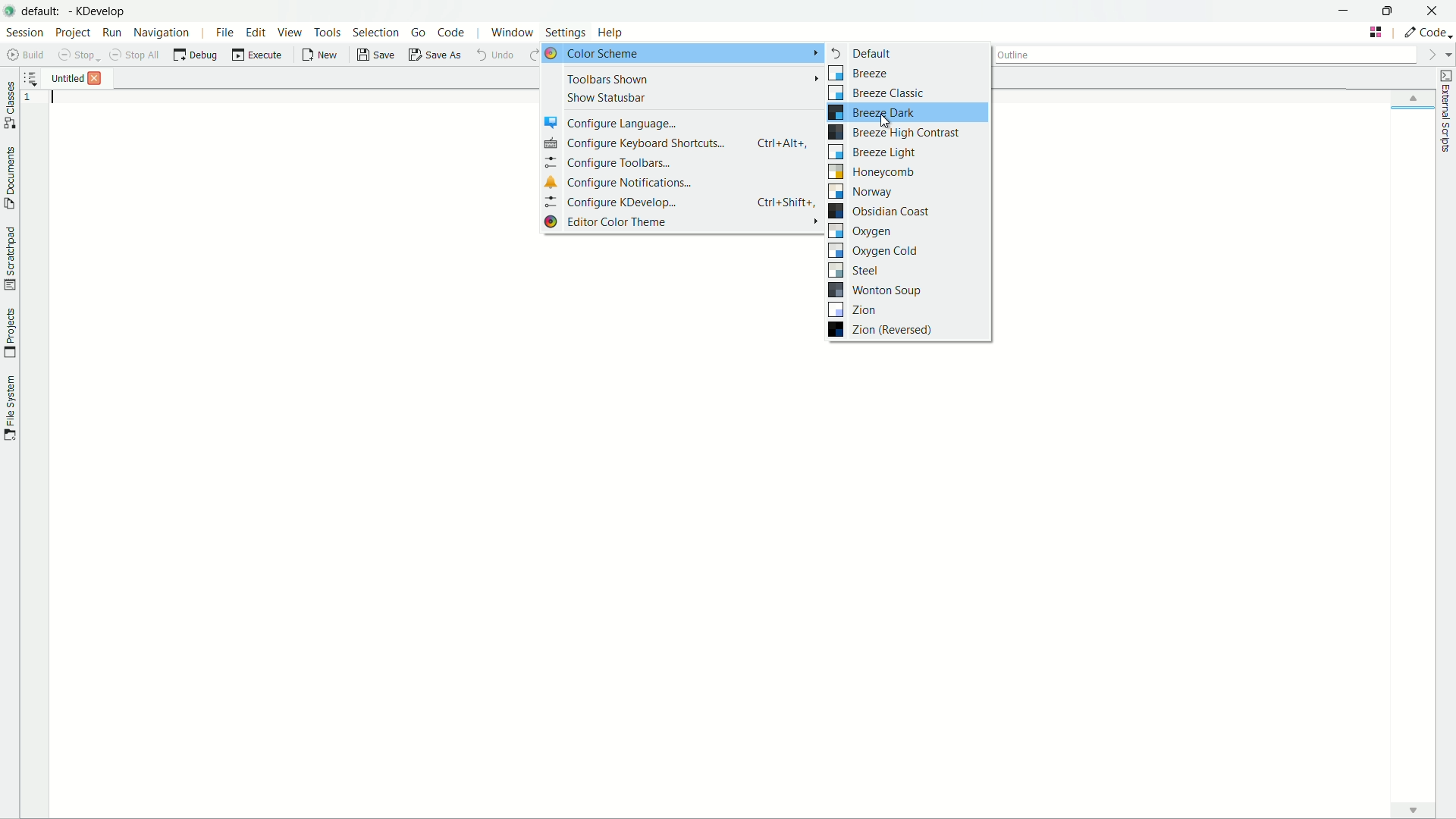 The image size is (1456, 819). Describe the element at coordinates (134, 55) in the screenshot. I see `stop  all` at that location.